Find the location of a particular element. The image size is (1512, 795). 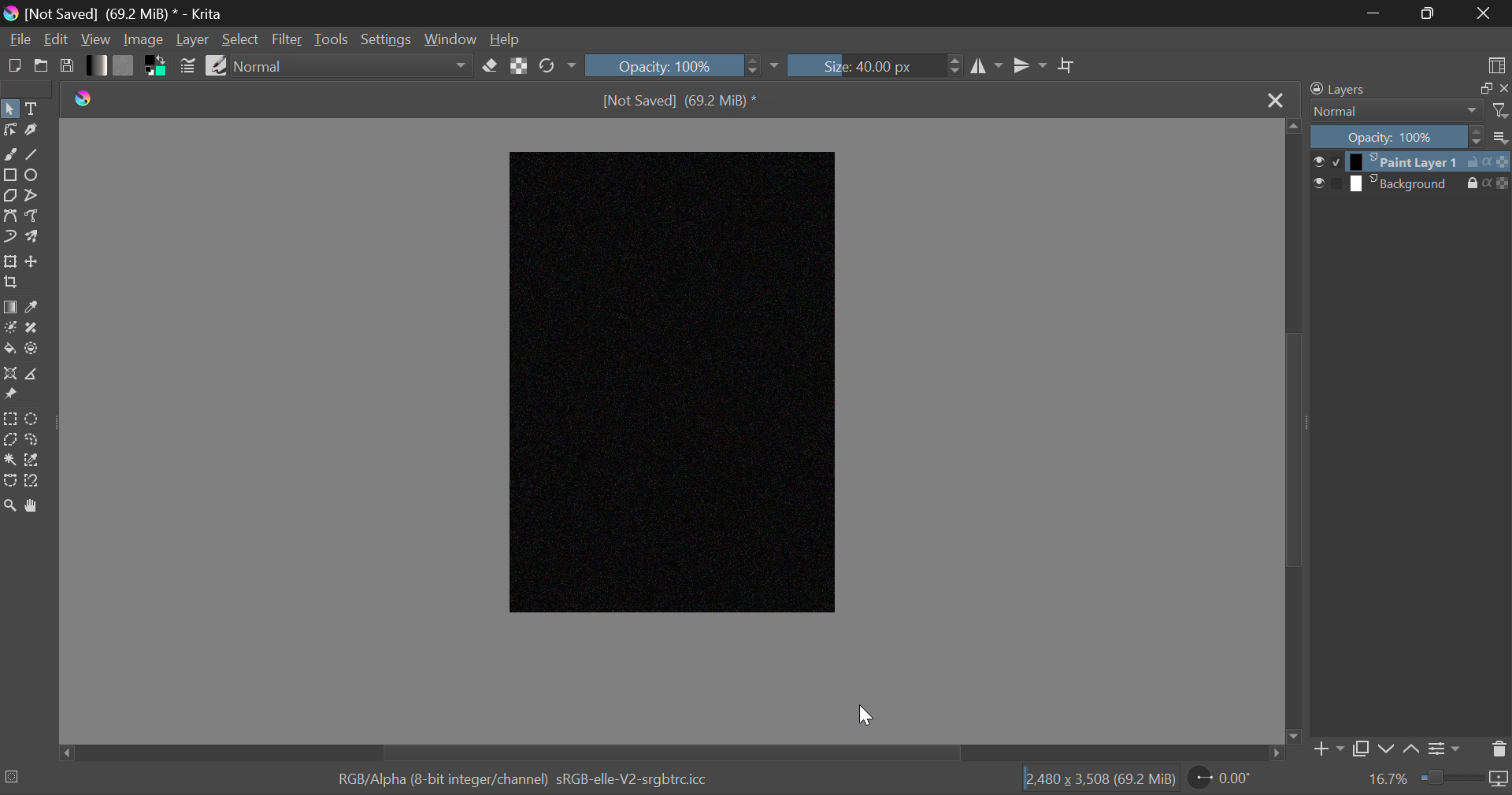

close is located at coordinates (1503, 89).